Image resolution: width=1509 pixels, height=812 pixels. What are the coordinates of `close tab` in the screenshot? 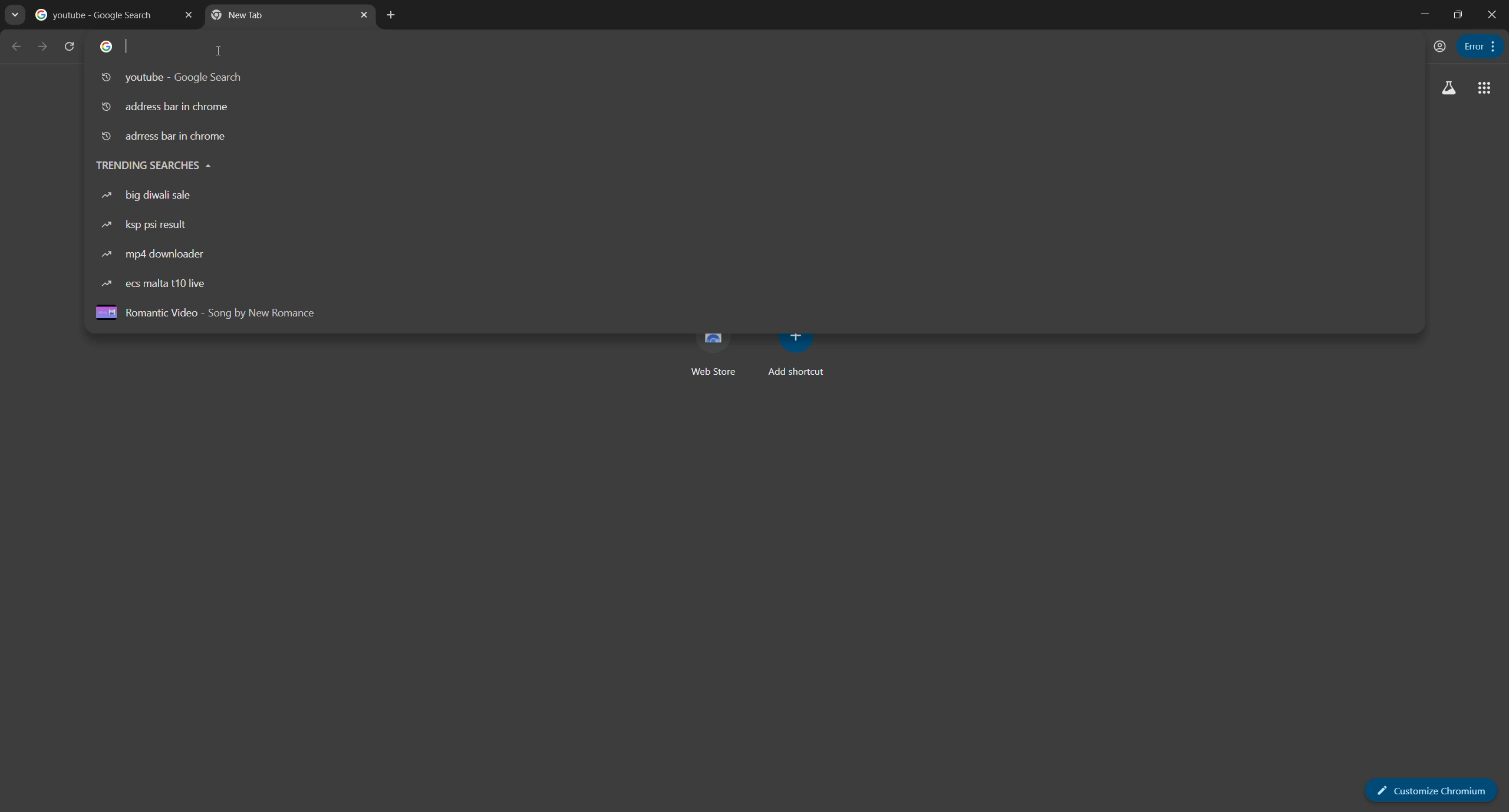 It's located at (367, 16).